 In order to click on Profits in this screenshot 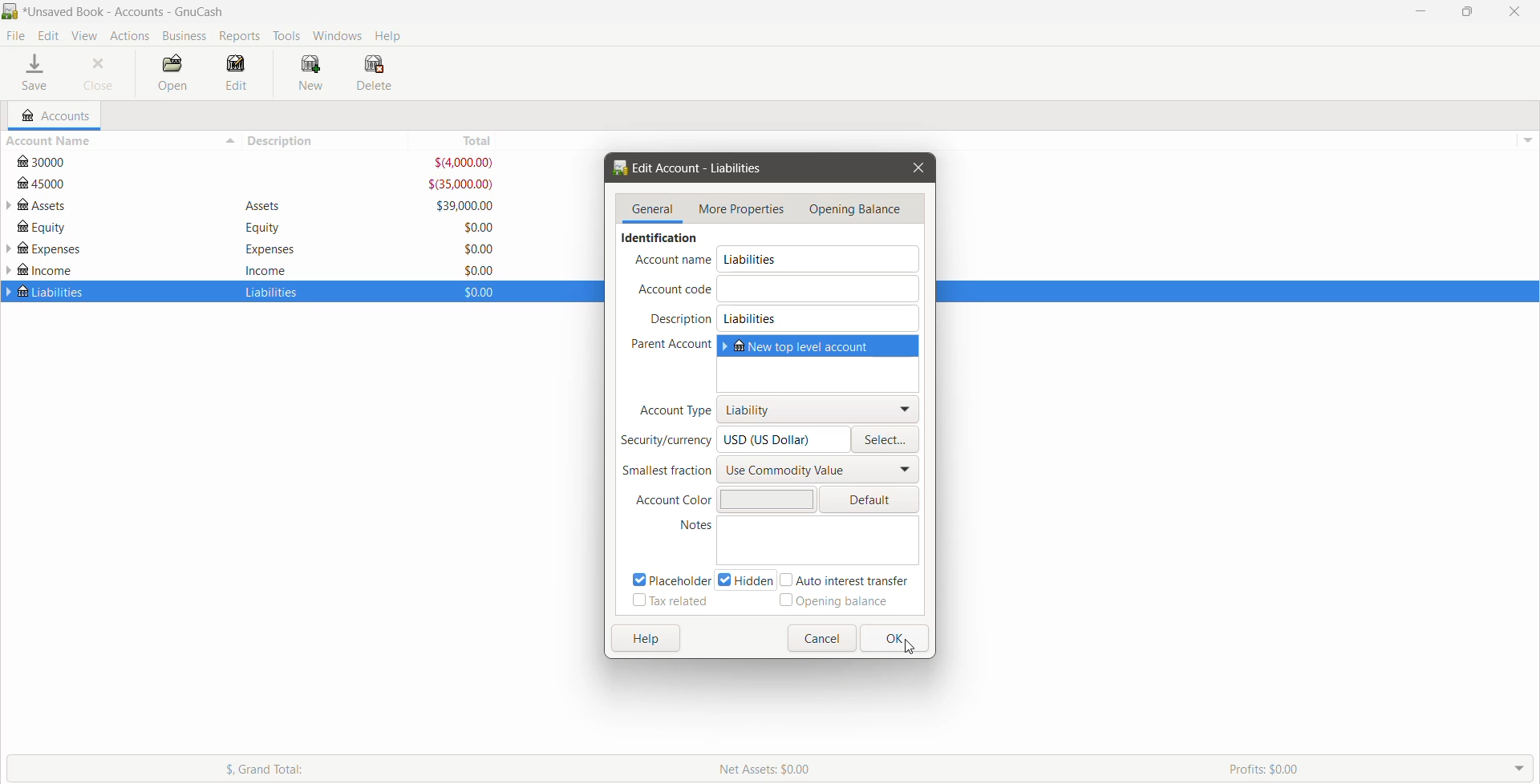, I will do `click(1380, 768)`.